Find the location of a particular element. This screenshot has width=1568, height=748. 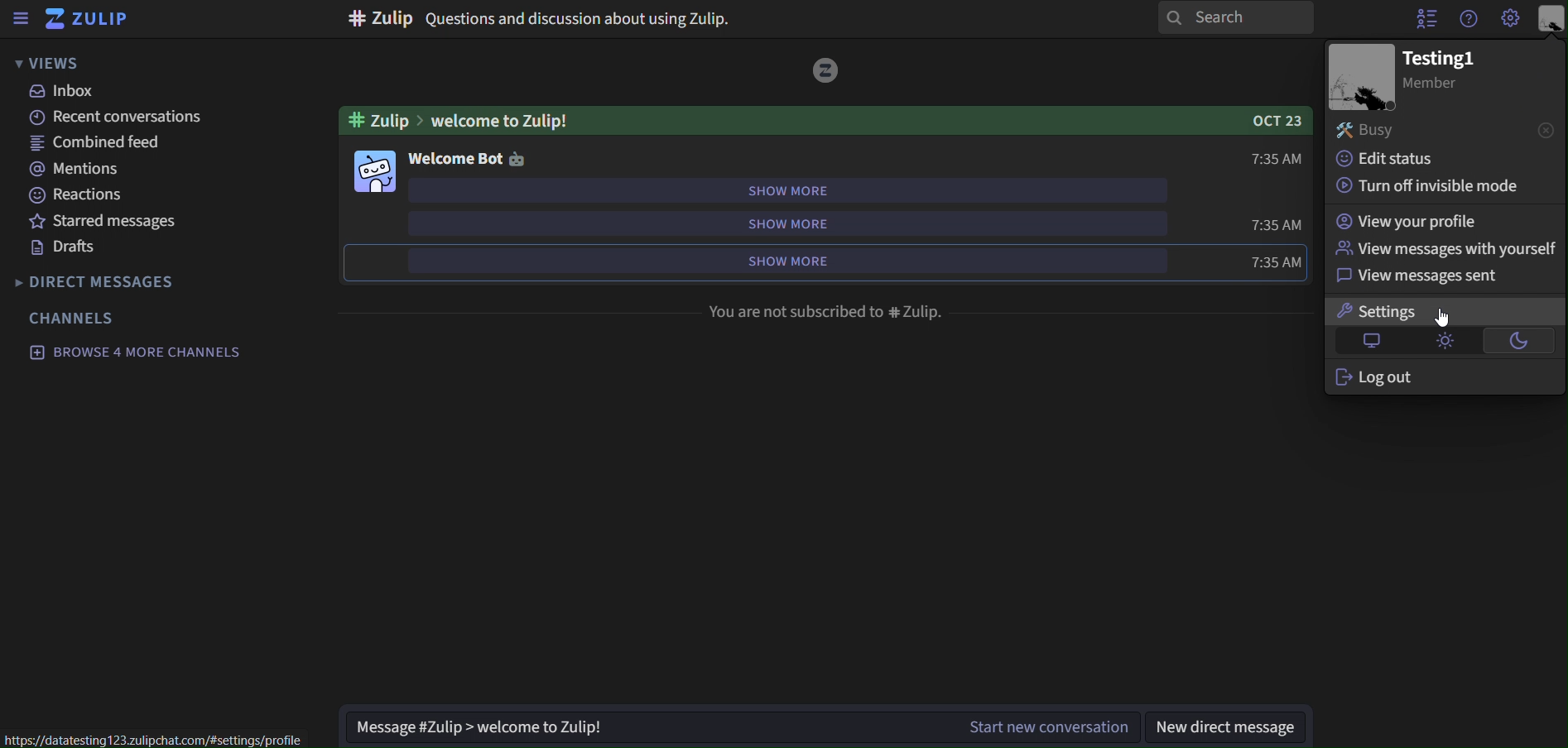

combined feed is located at coordinates (102, 144).